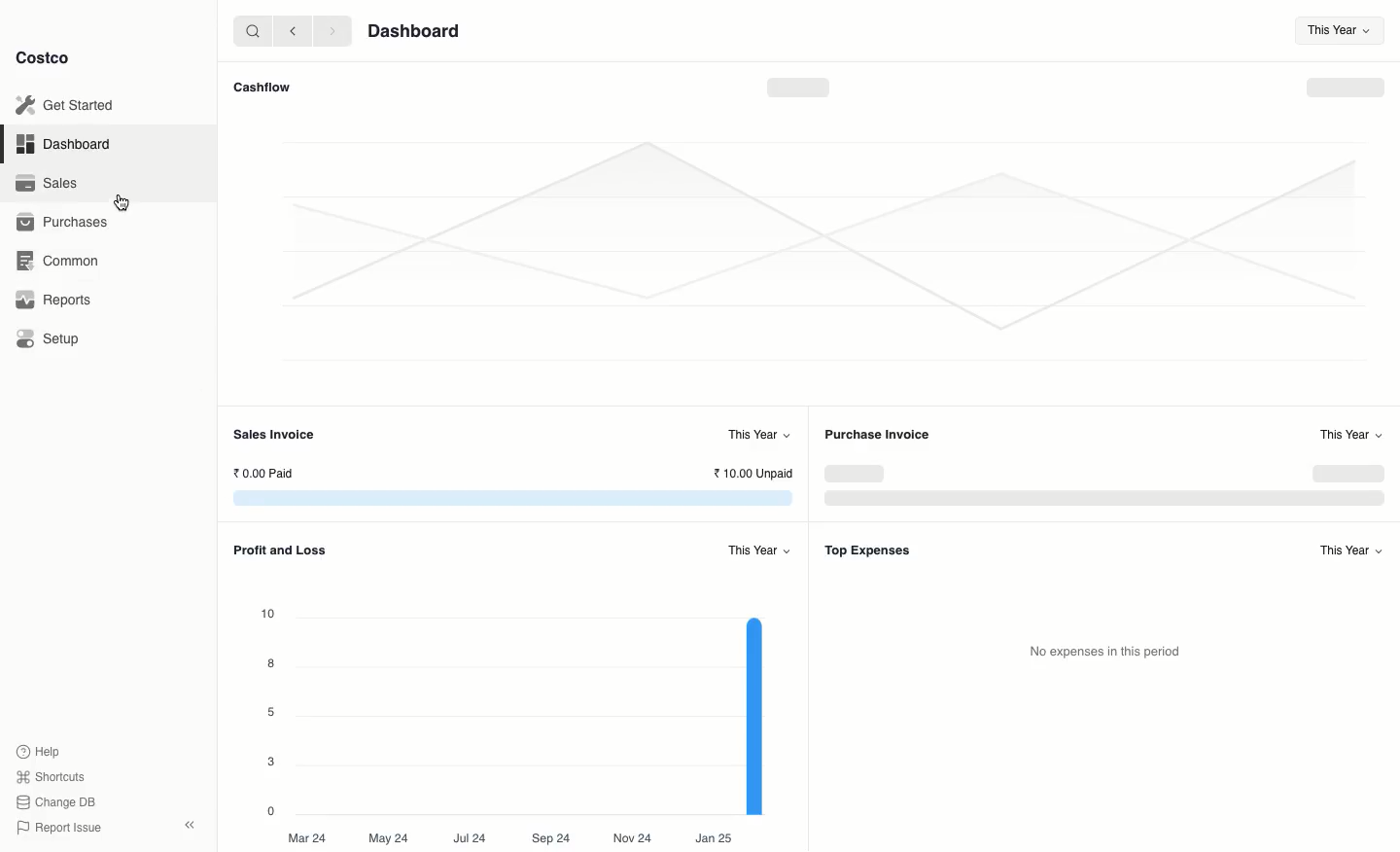  What do you see at coordinates (247, 31) in the screenshot?
I see `Search` at bounding box center [247, 31].